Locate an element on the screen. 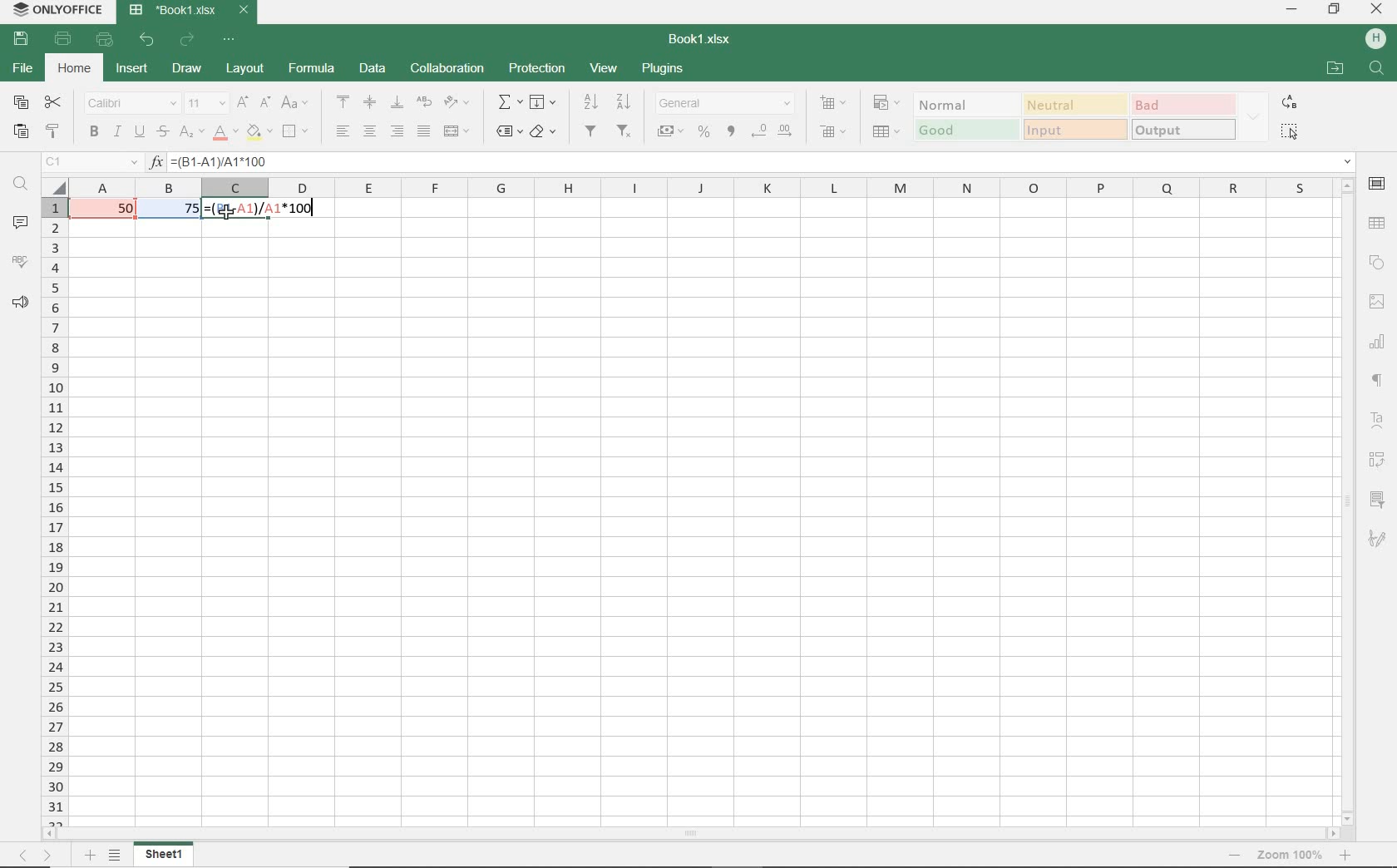 Image resolution: width=1397 pixels, height=868 pixels. number format is located at coordinates (724, 101).